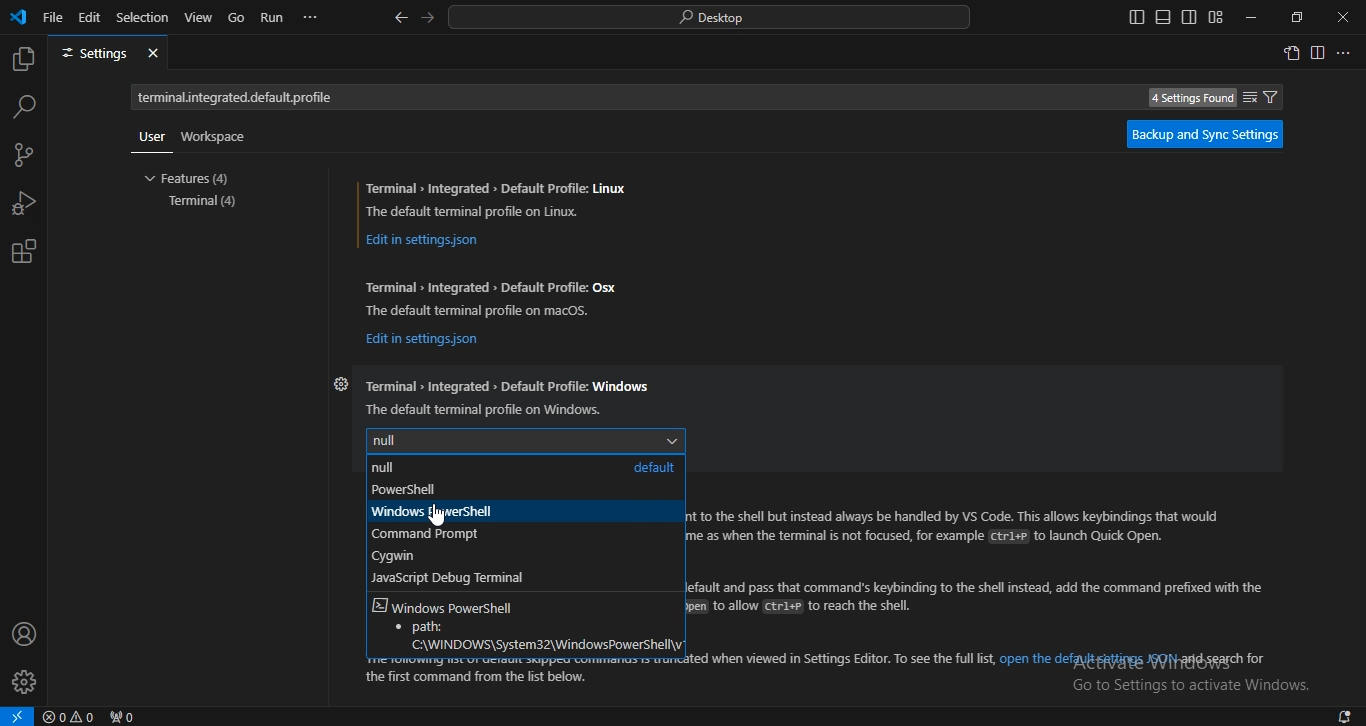  Describe the element at coordinates (89, 19) in the screenshot. I see `edit` at that location.